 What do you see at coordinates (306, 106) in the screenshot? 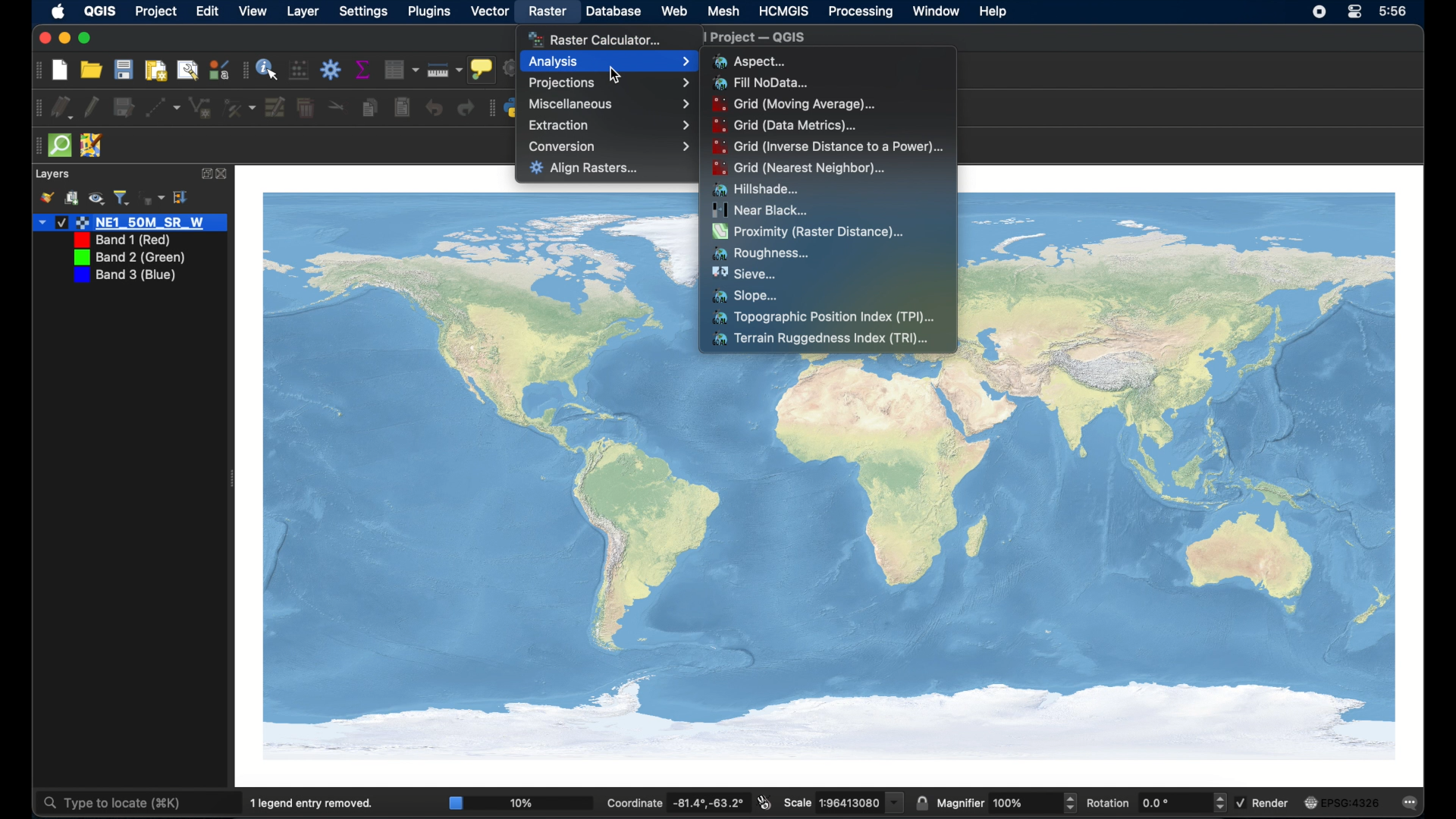
I see `delete selected` at bounding box center [306, 106].